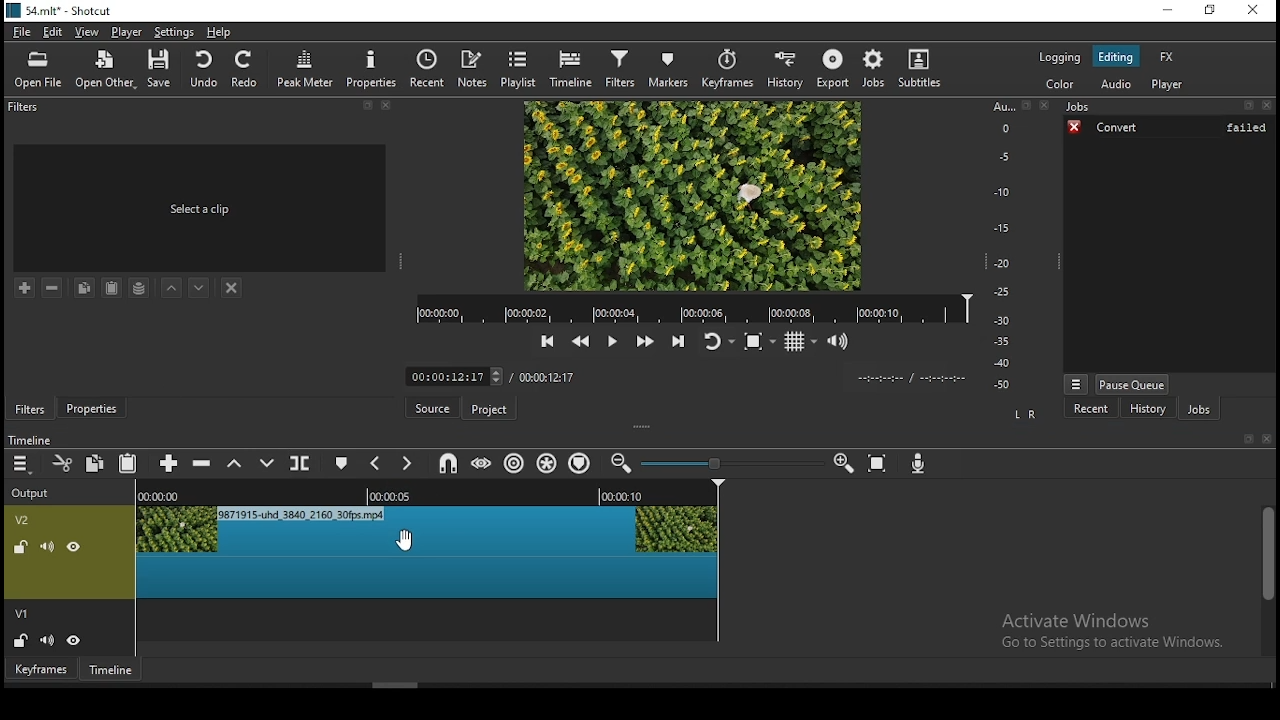  What do you see at coordinates (1133, 381) in the screenshot?
I see `pause queue` at bounding box center [1133, 381].